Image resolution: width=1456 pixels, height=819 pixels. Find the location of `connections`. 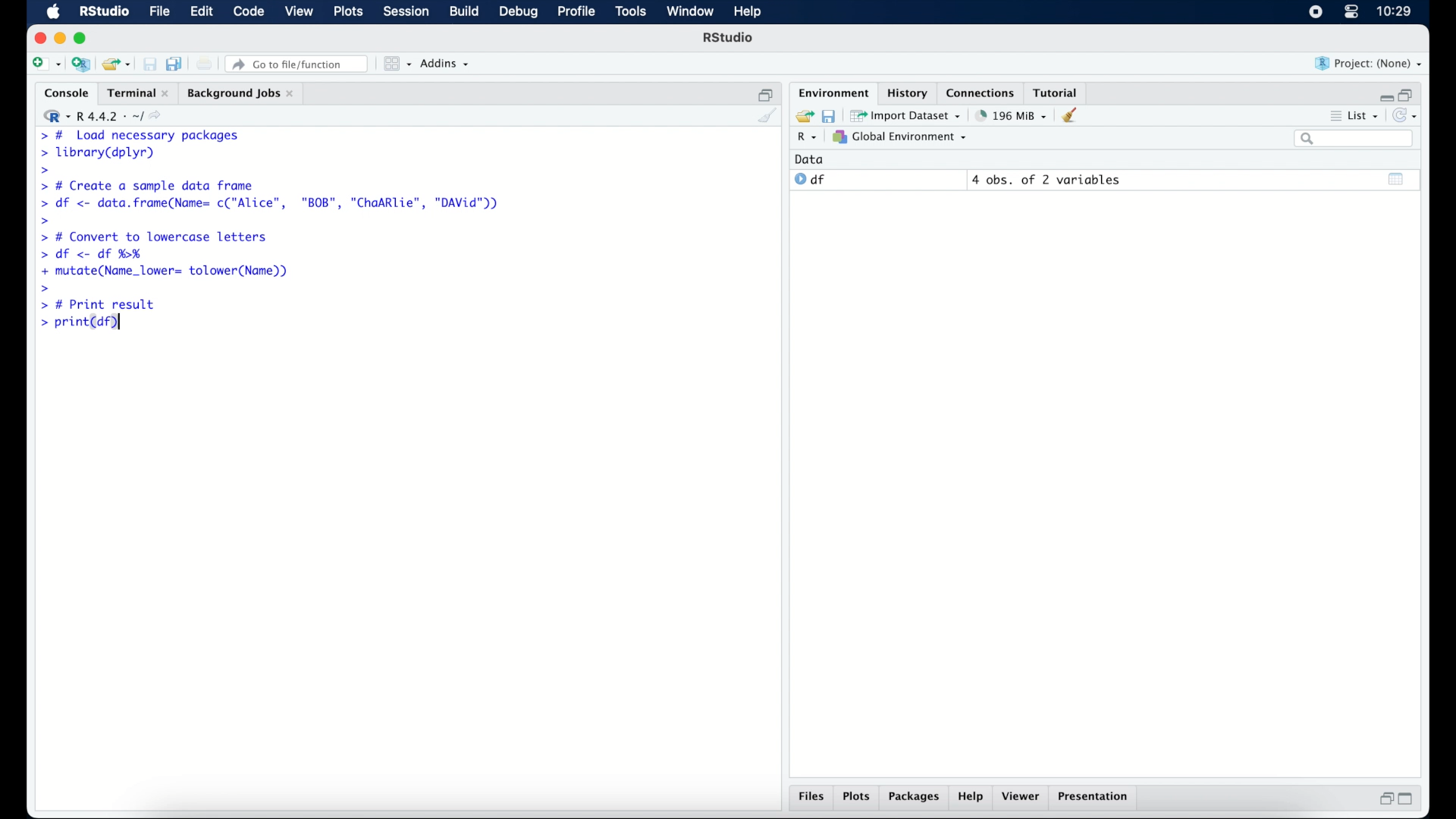

connections is located at coordinates (982, 92).